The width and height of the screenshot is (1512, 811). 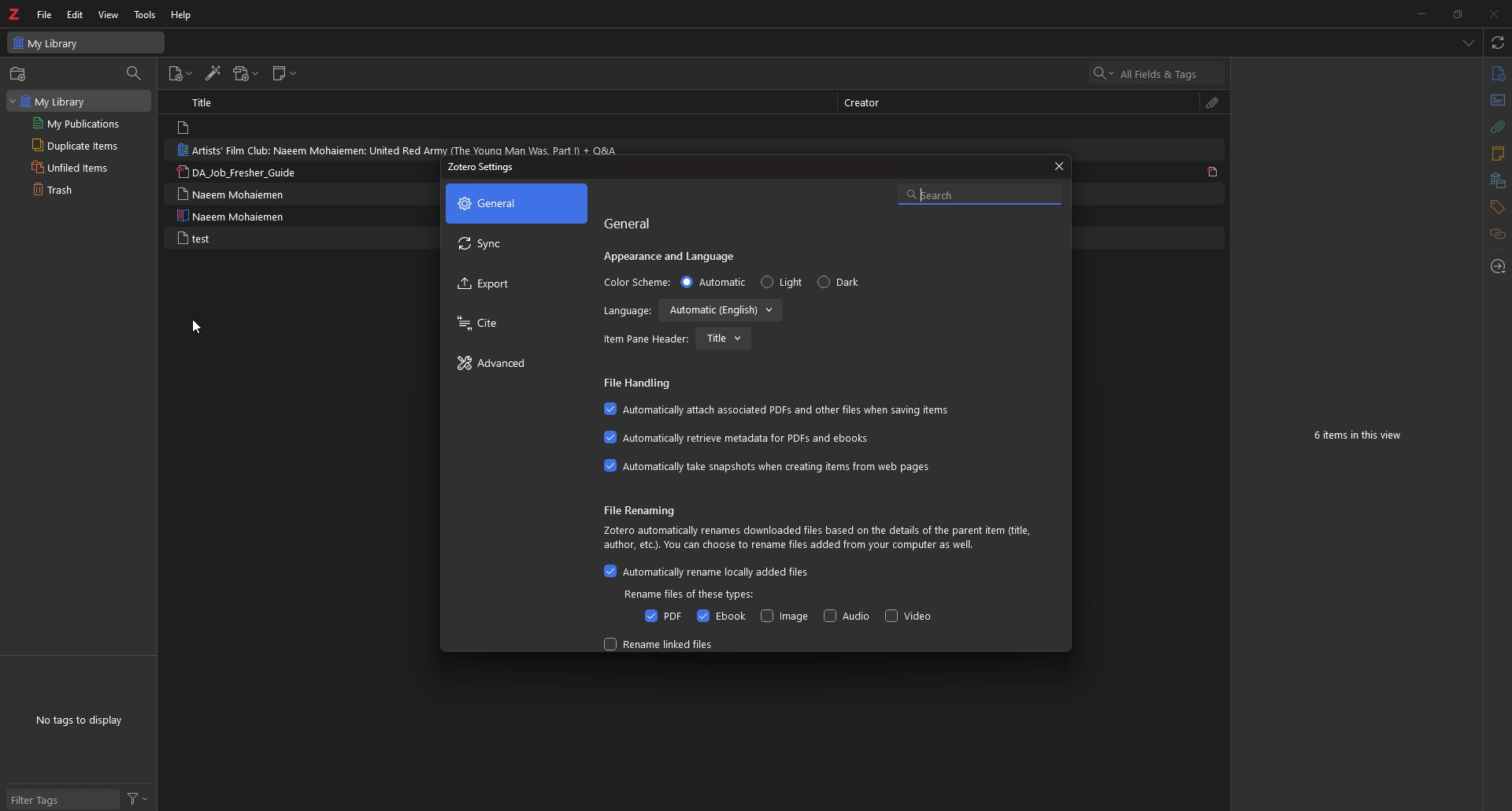 I want to click on ebook, so click(x=720, y=617).